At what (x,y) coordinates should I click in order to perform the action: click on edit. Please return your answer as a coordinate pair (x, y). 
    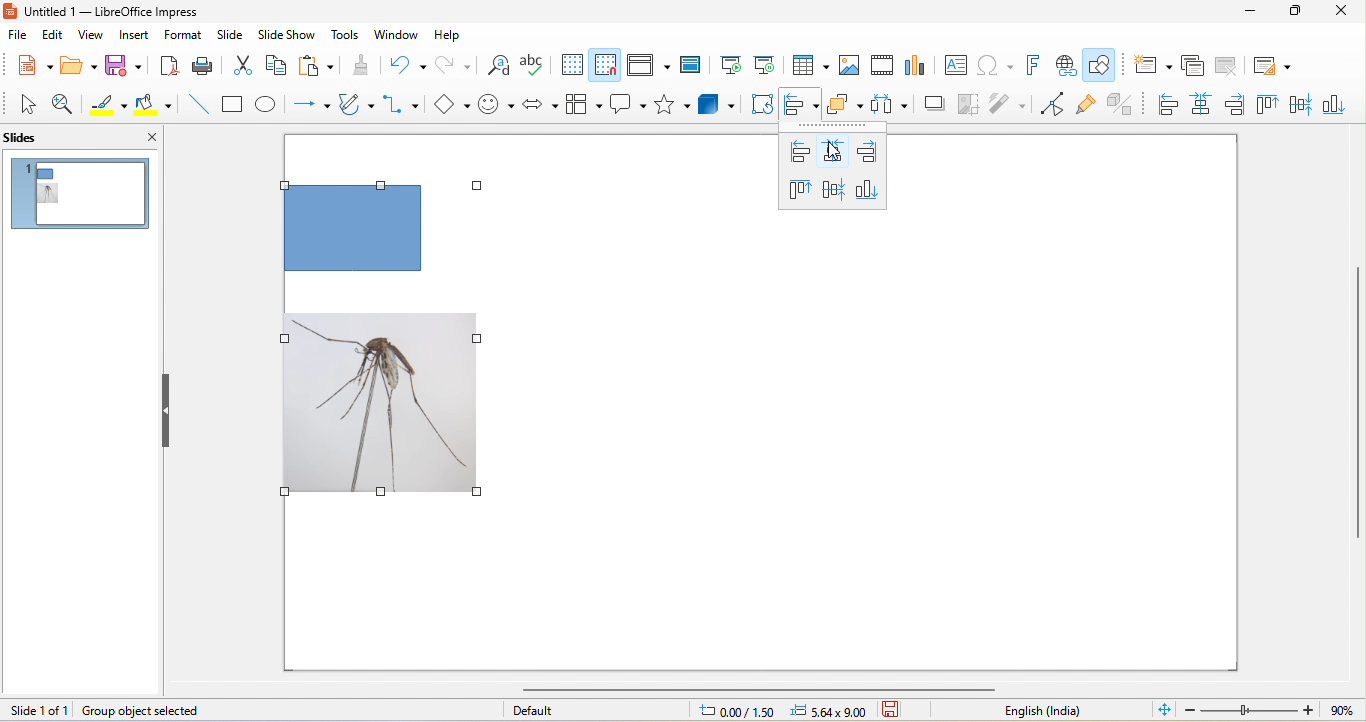
    Looking at the image, I should click on (53, 35).